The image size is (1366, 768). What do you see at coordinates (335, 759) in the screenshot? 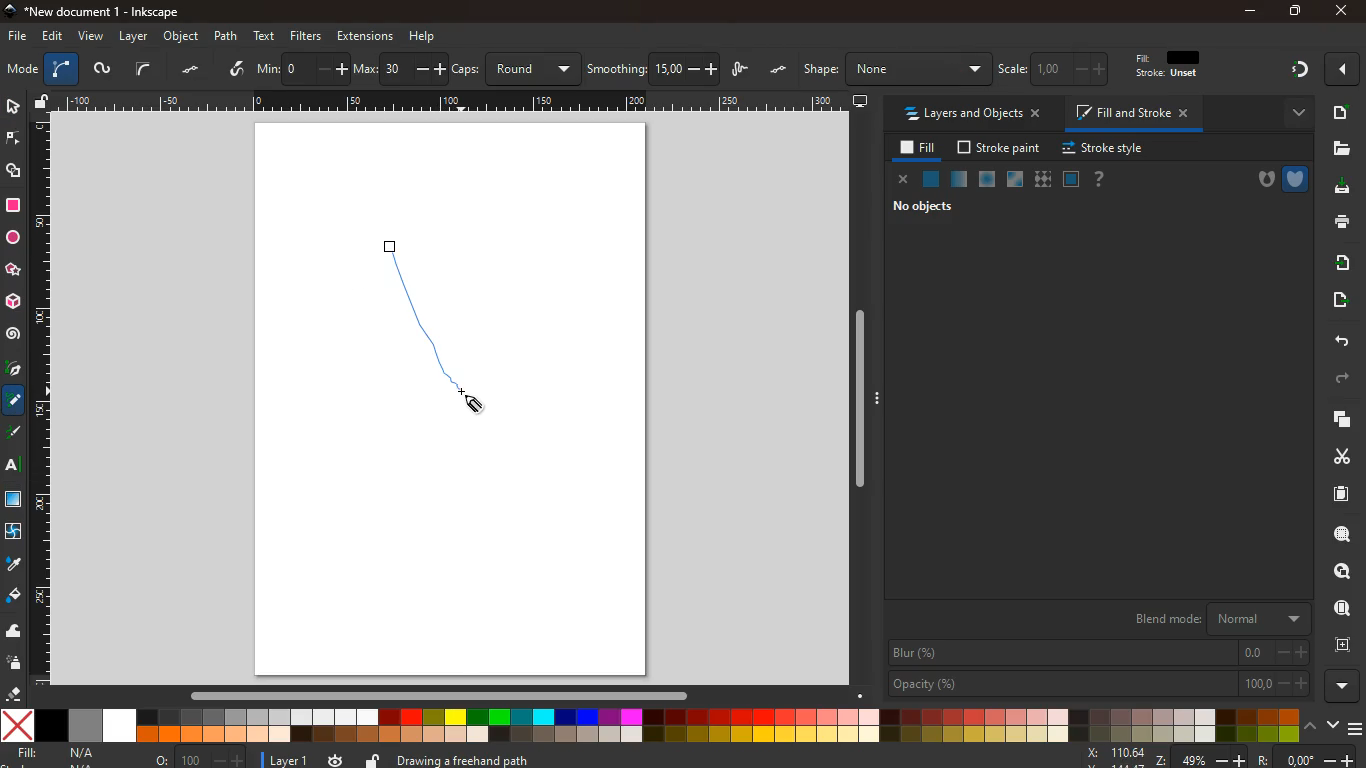
I see `time` at bounding box center [335, 759].